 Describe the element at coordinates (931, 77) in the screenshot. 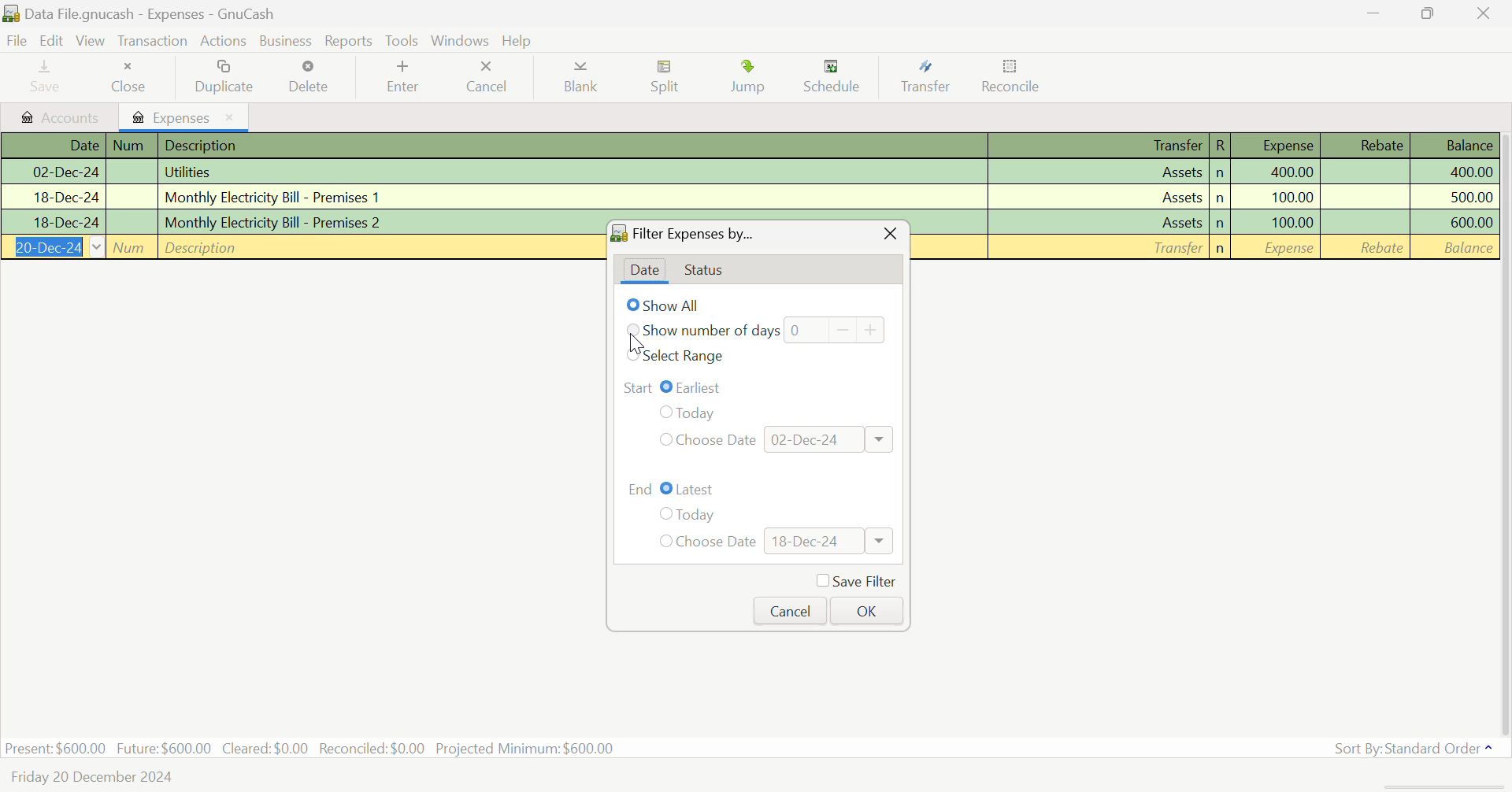

I see `Transfer` at that location.